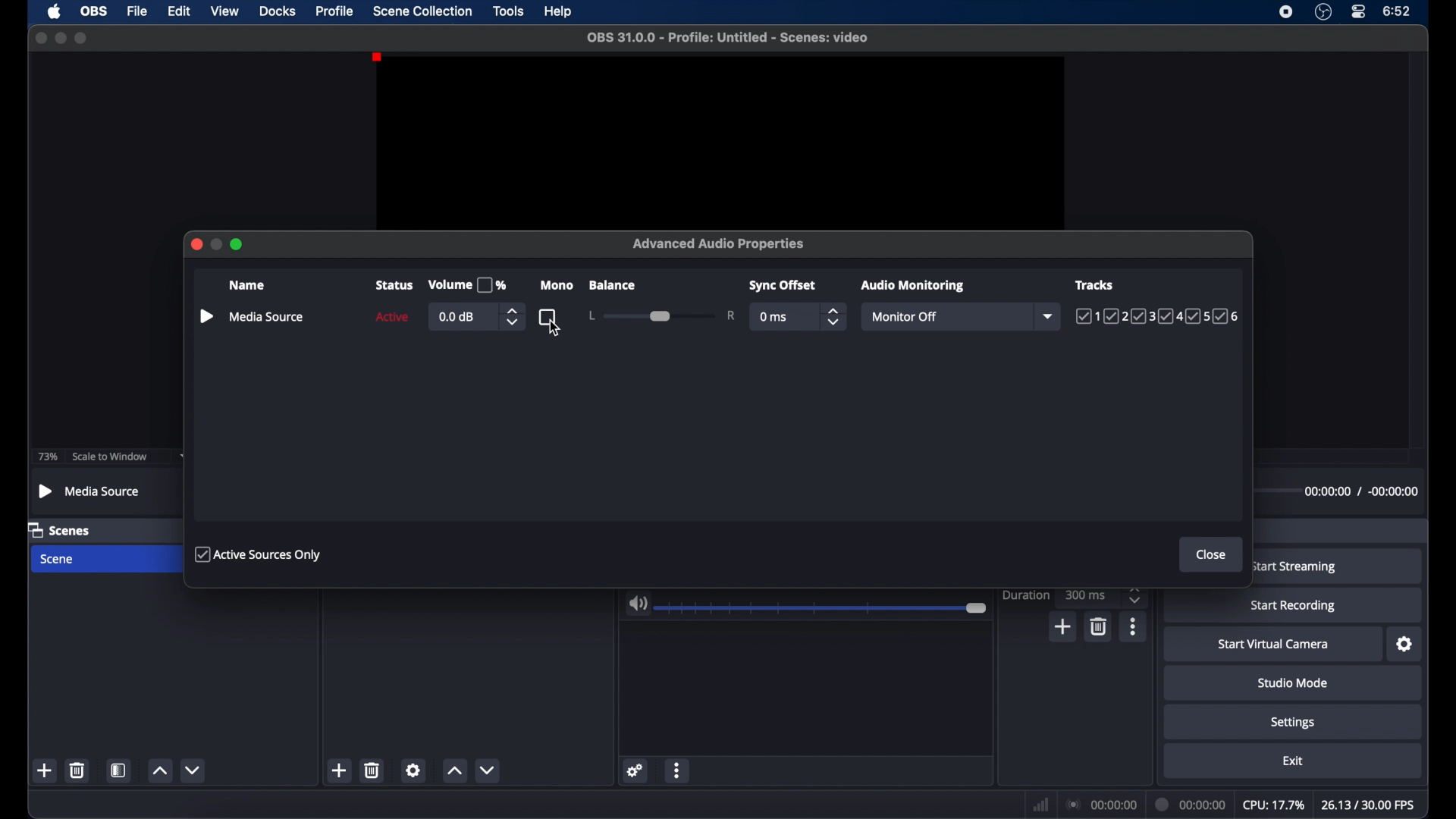 The image size is (1456, 819). Describe the element at coordinates (1094, 285) in the screenshot. I see `tracks` at that location.